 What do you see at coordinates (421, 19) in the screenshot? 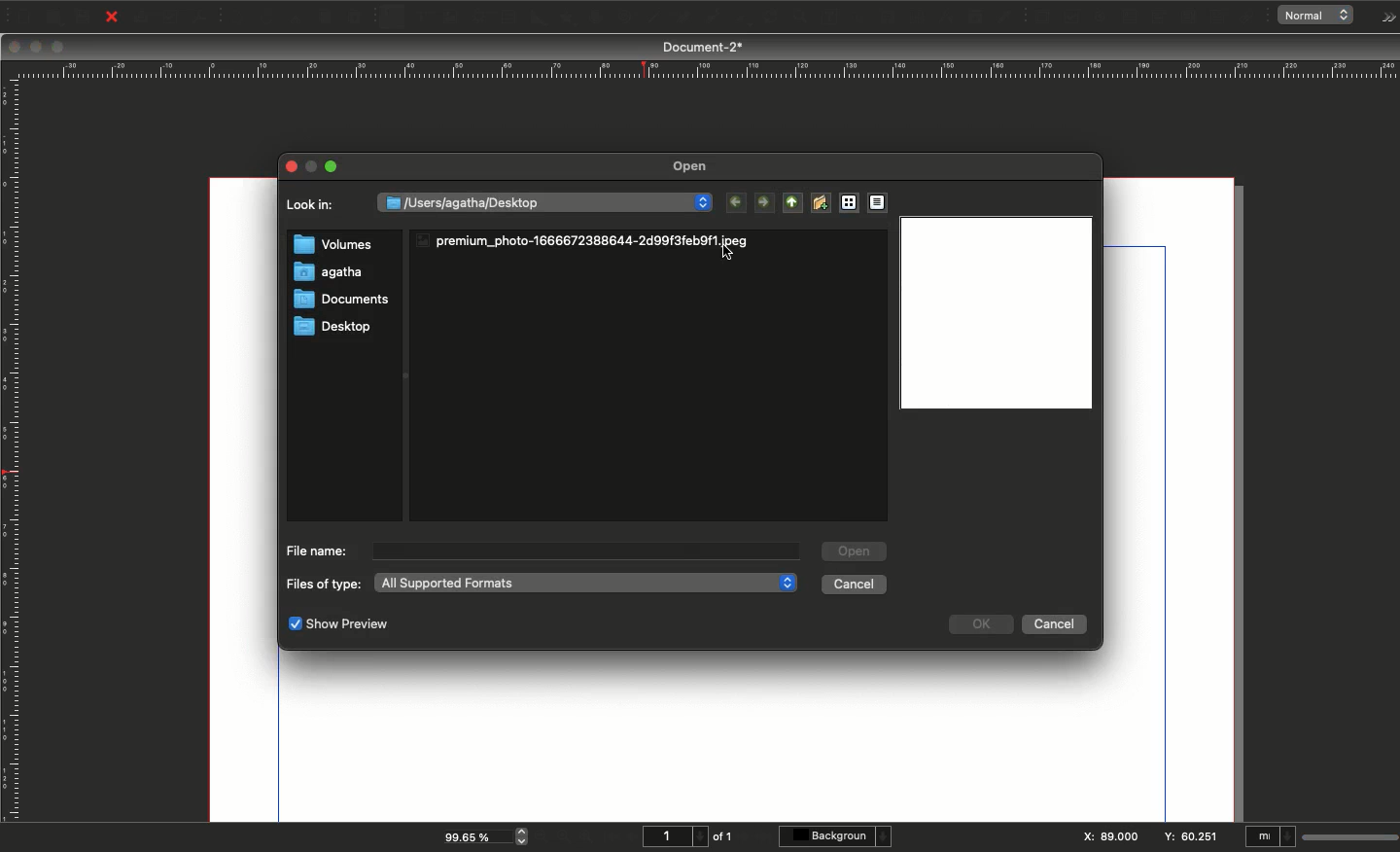
I see `Text frame` at bounding box center [421, 19].